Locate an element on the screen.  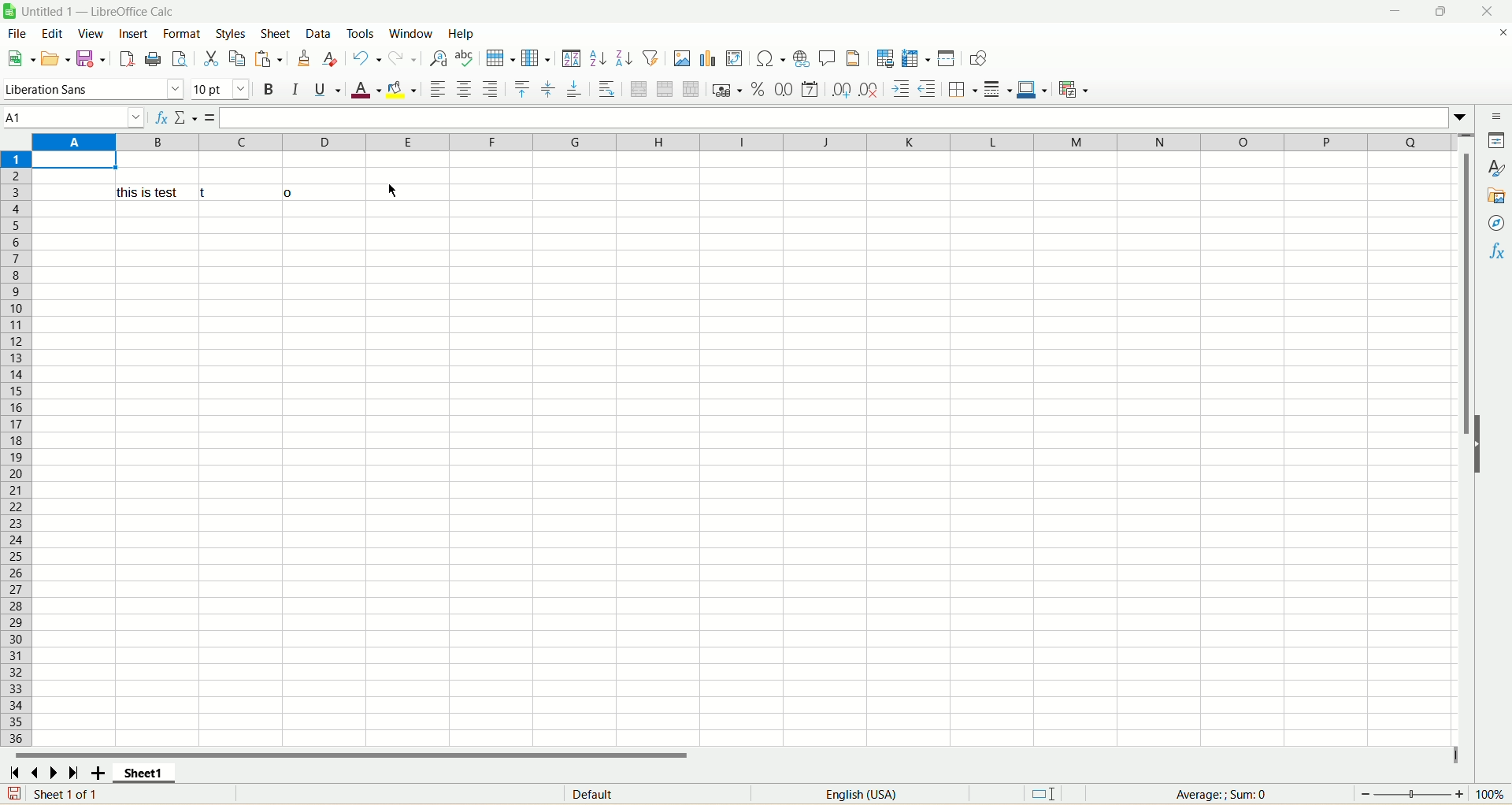
scroll to first sheet is located at coordinates (18, 769).